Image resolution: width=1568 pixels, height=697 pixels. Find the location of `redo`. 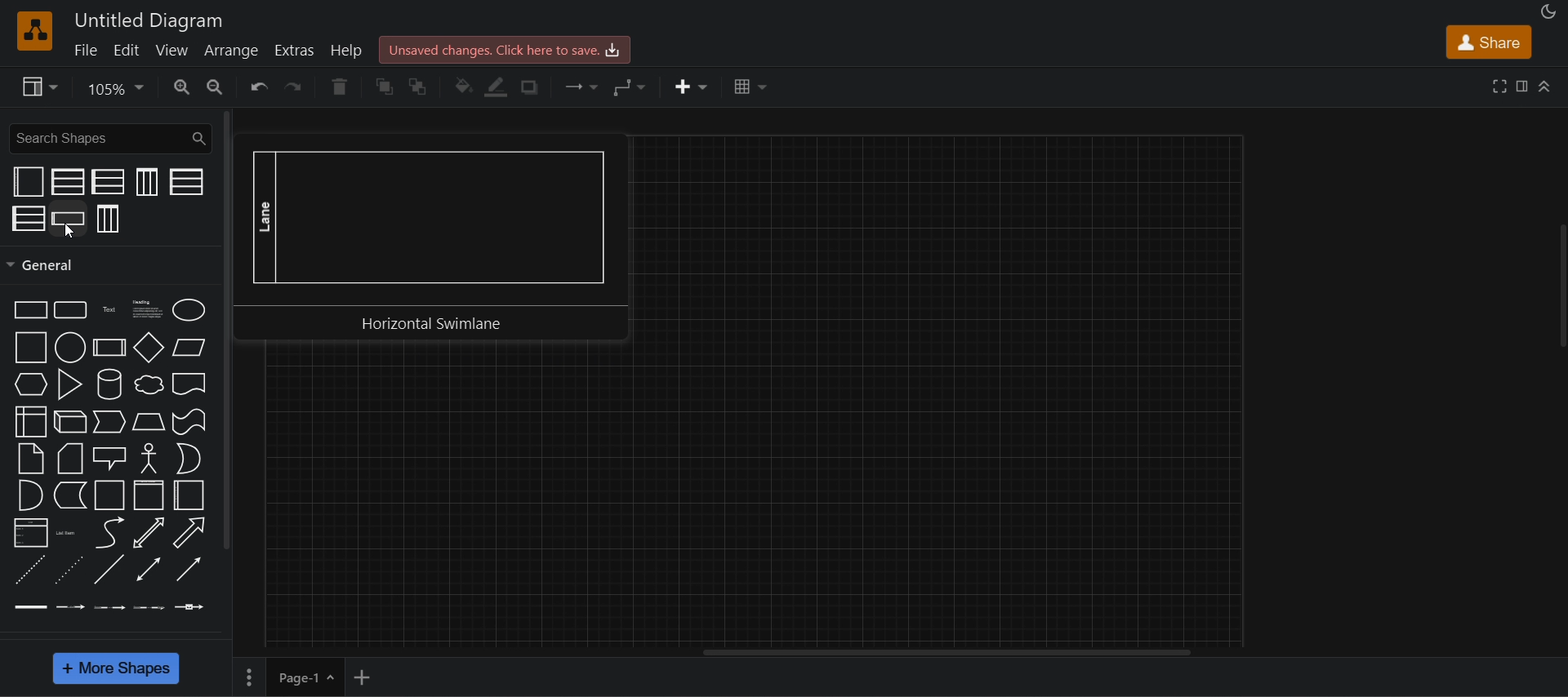

redo is located at coordinates (297, 87).